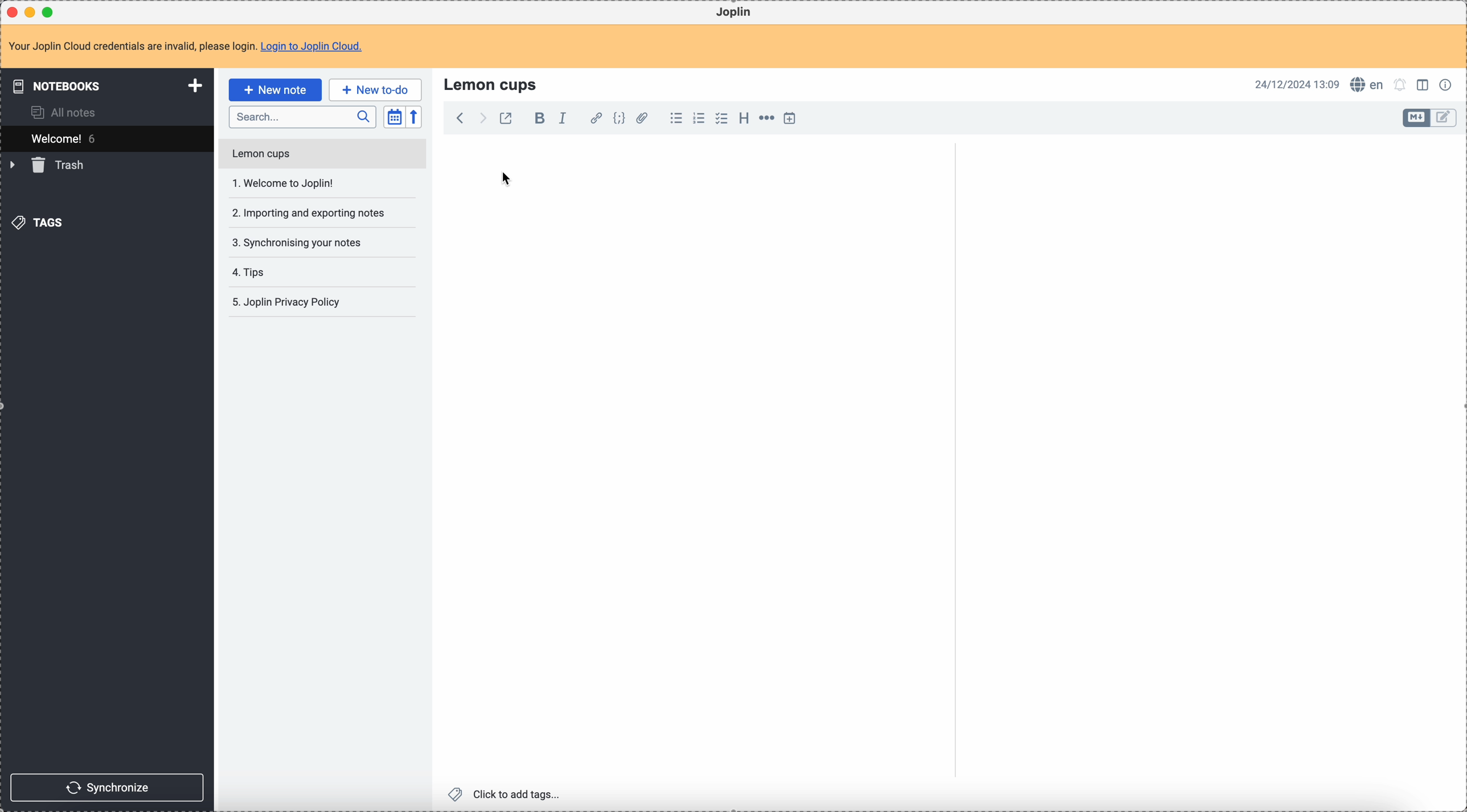  I want to click on toggle edit layout, so click(1417, 118).